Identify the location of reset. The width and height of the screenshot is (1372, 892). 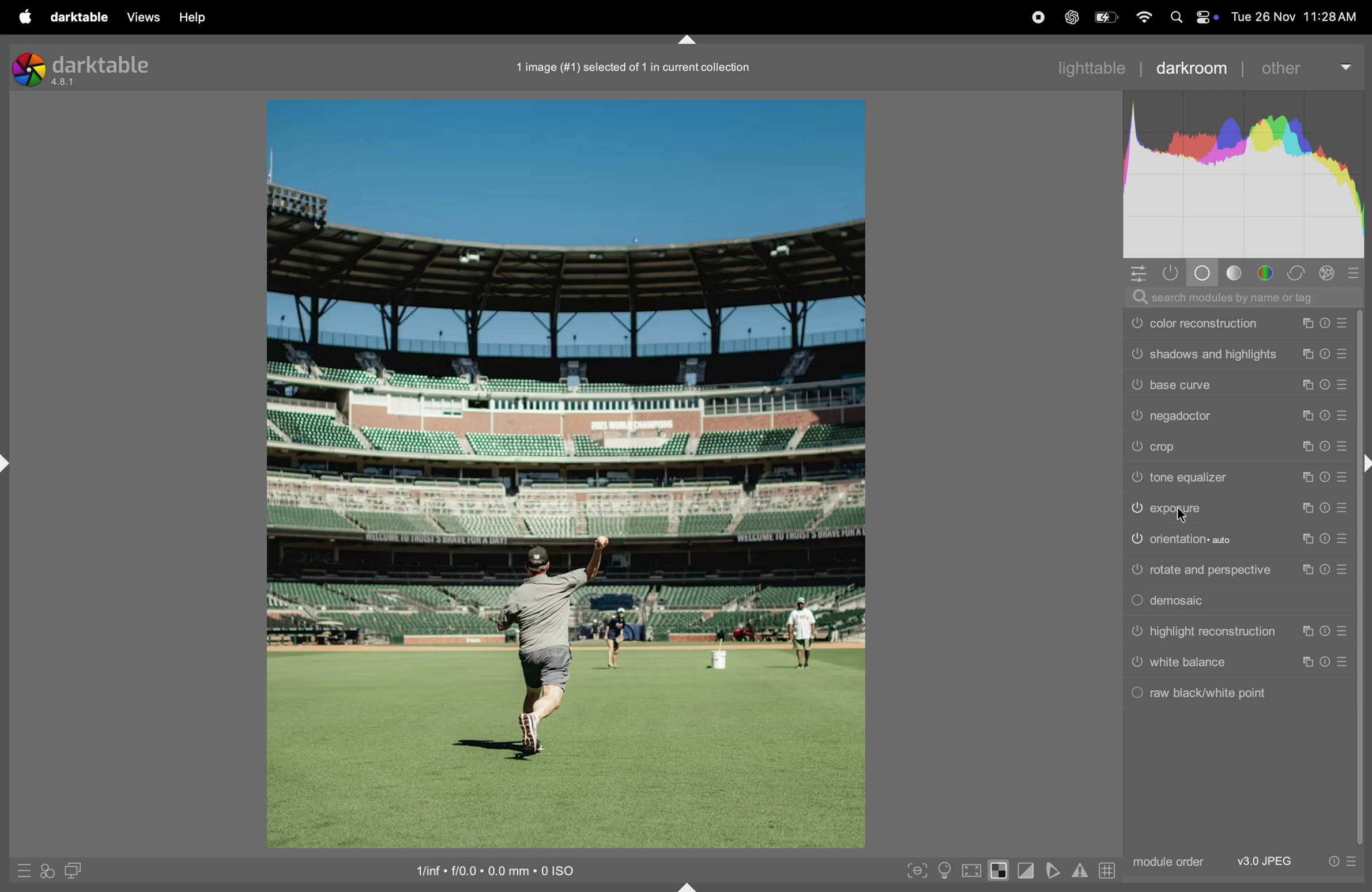
(1333, 860).